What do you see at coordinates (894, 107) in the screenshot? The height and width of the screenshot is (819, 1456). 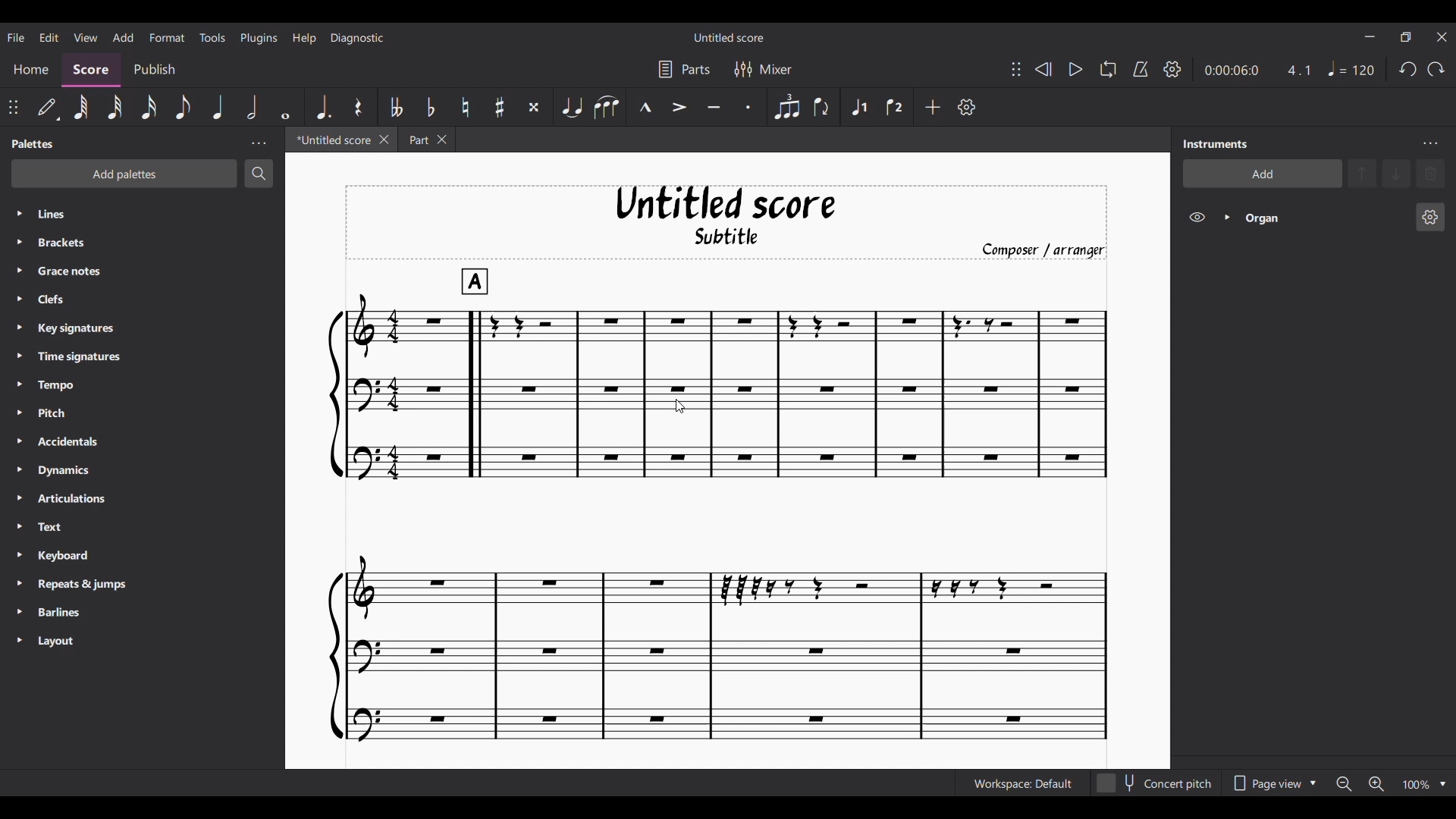 I see `Voice 2` at bounding box center [894, 107].